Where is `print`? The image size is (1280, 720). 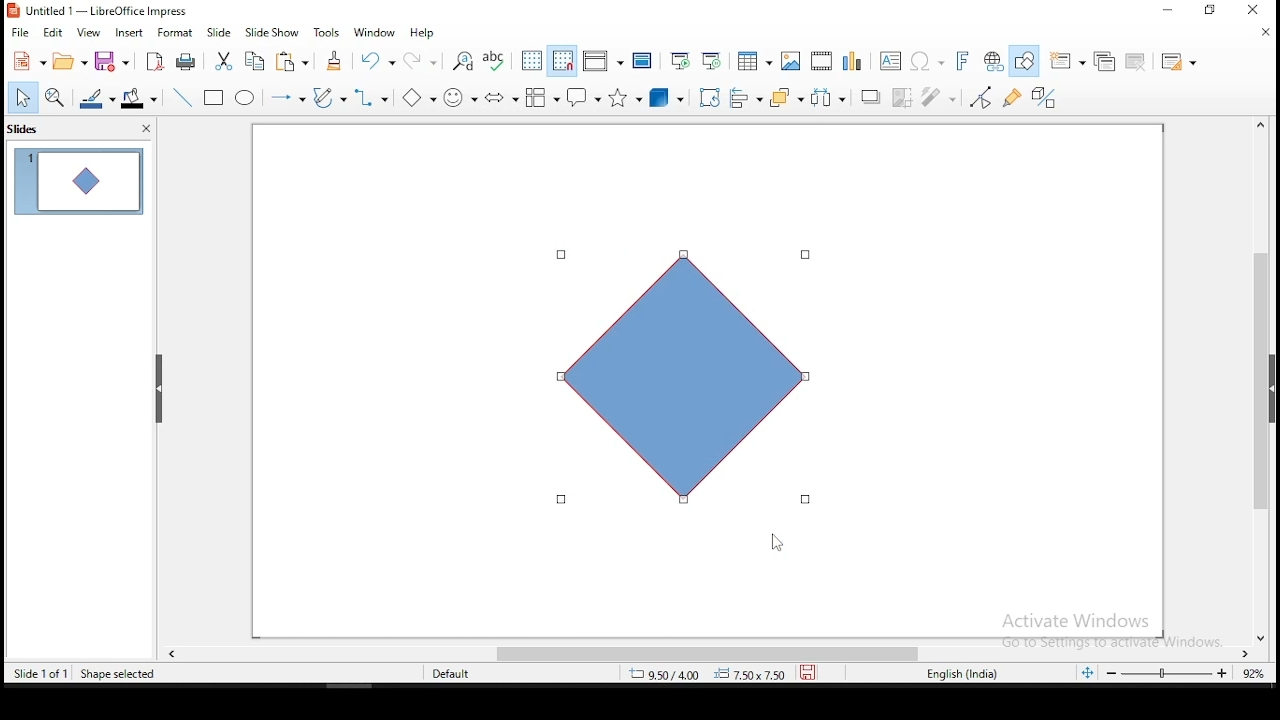
print is located at coordinates (187, 60).